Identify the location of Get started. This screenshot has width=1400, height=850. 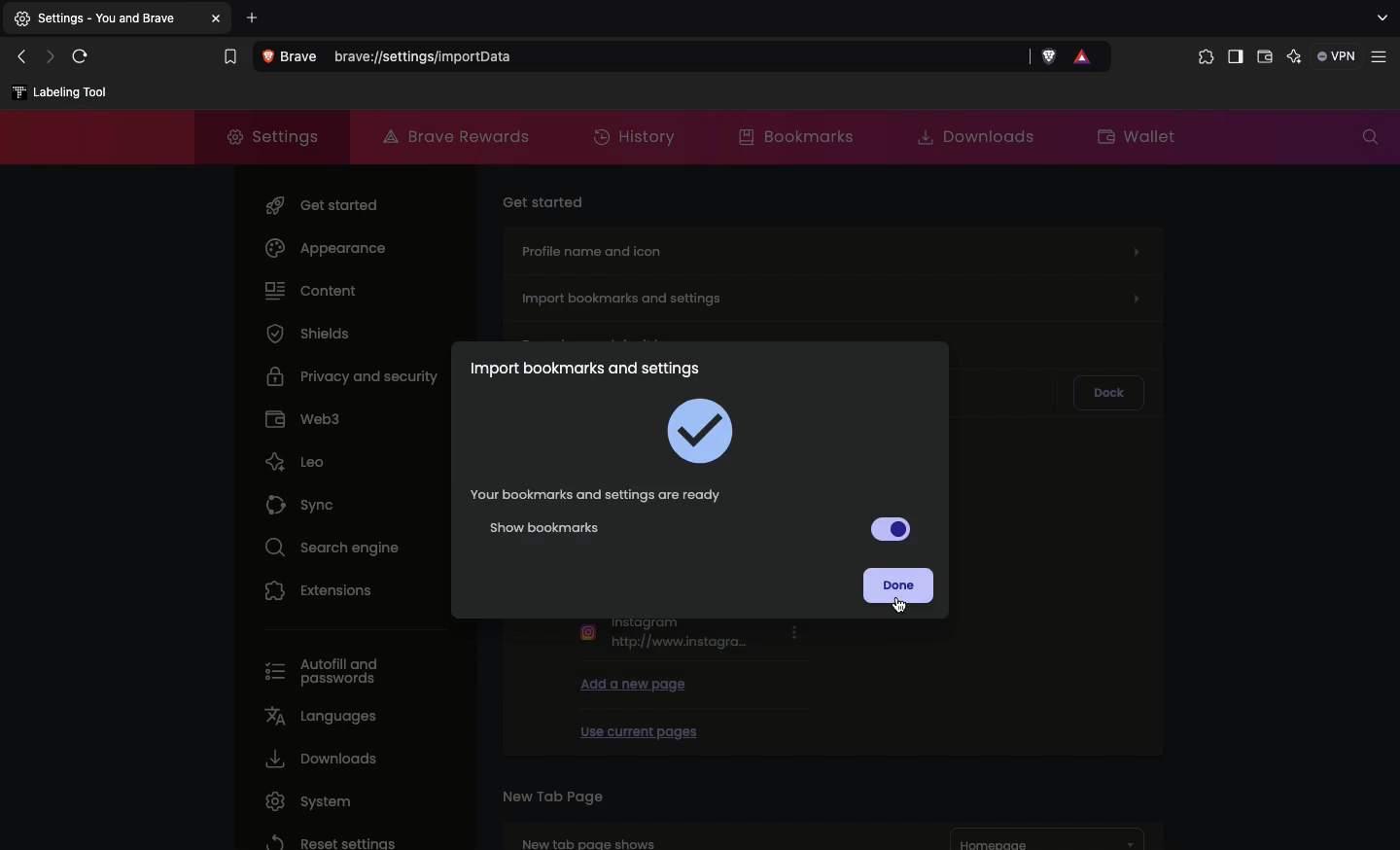
(545, 199).